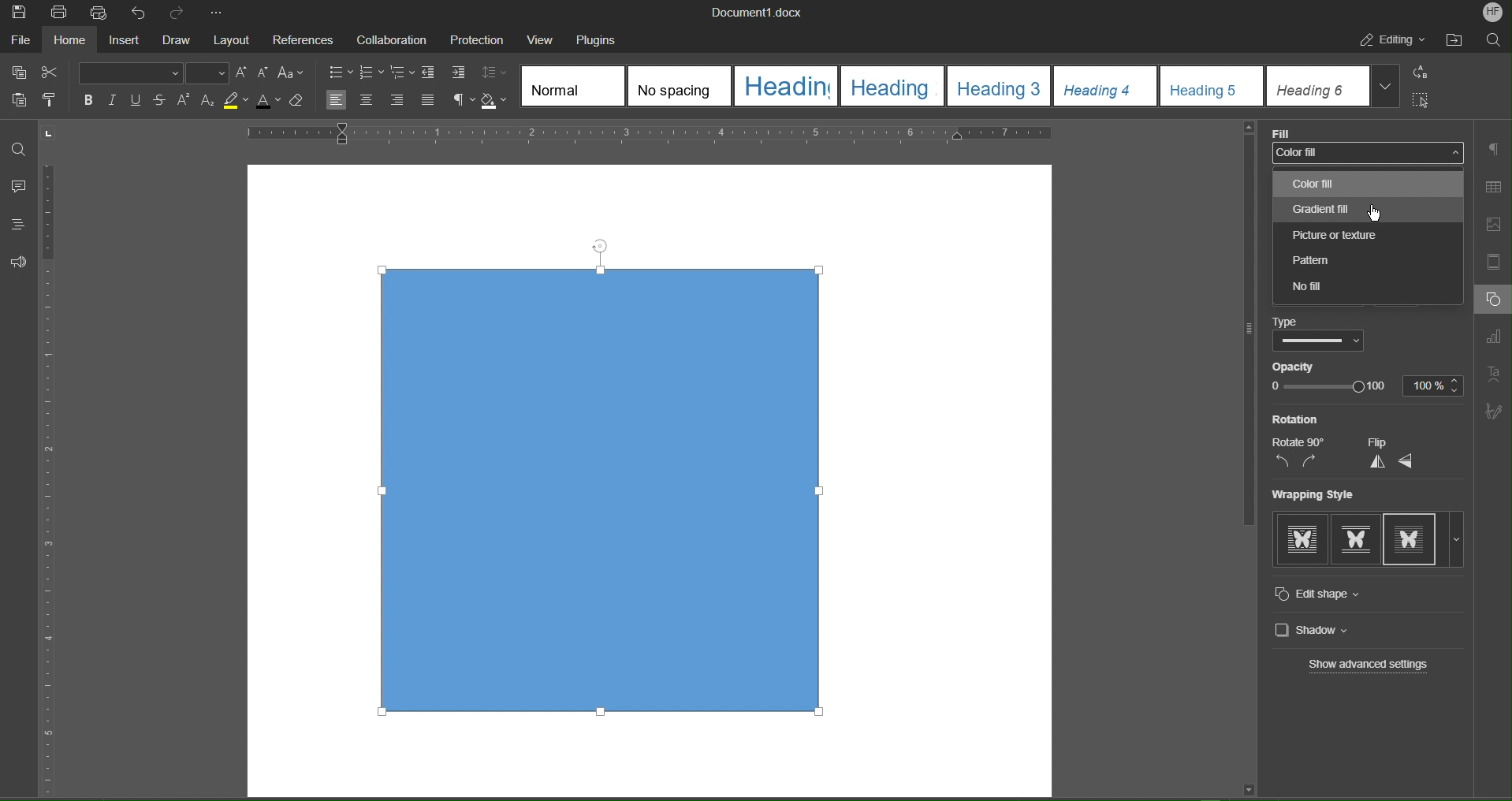 This screenshot has width=1512, height=801. What do you see at coordinates (1313, 366) in the screenshot?
I see `Opacity` at bounding box center [1313, 366].